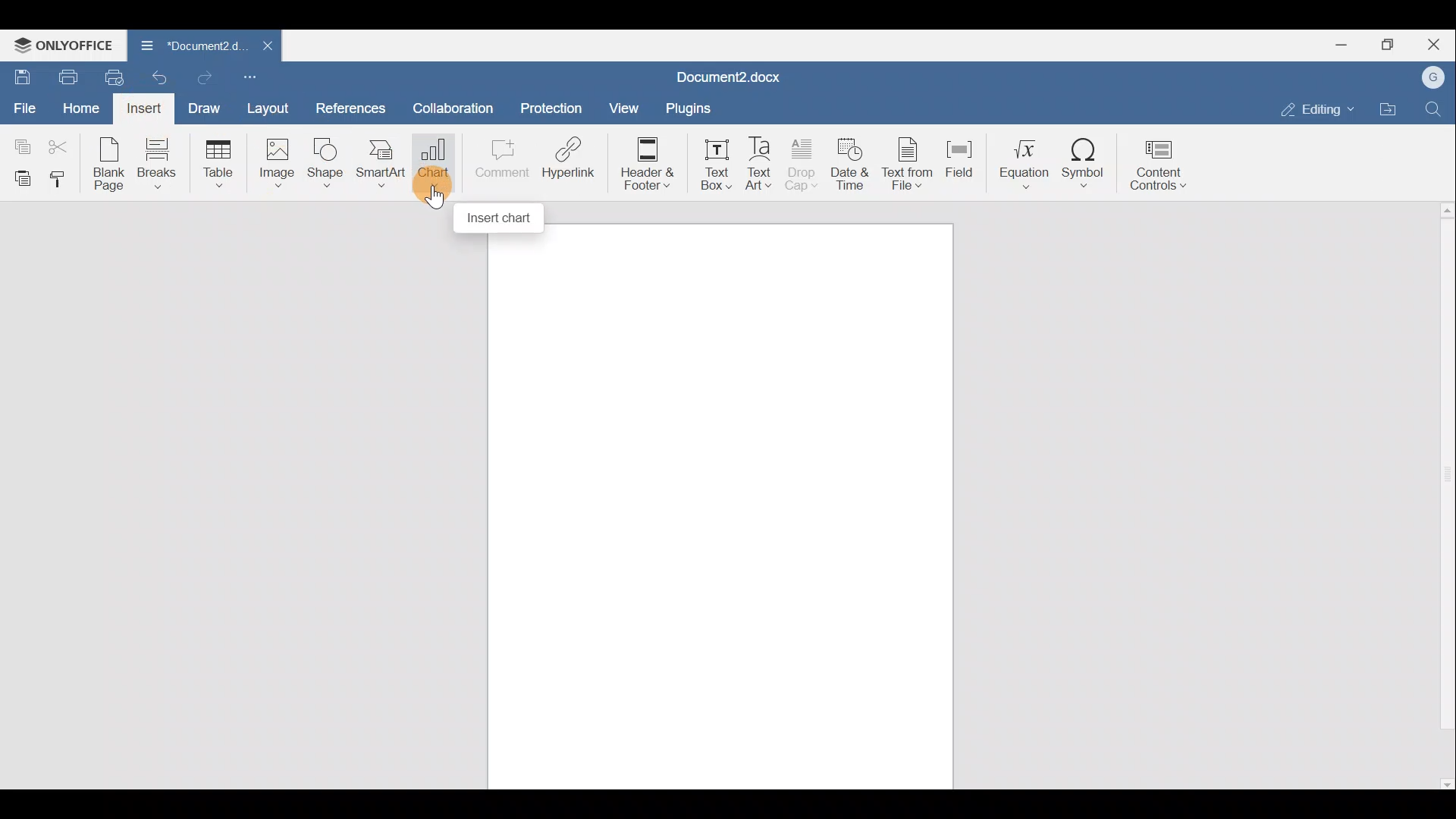 Image resolution: width=1456 pixels, height=819 pixels. Describe the element at coordinates (349, 108) in the screenshot. I see `References` at that location.